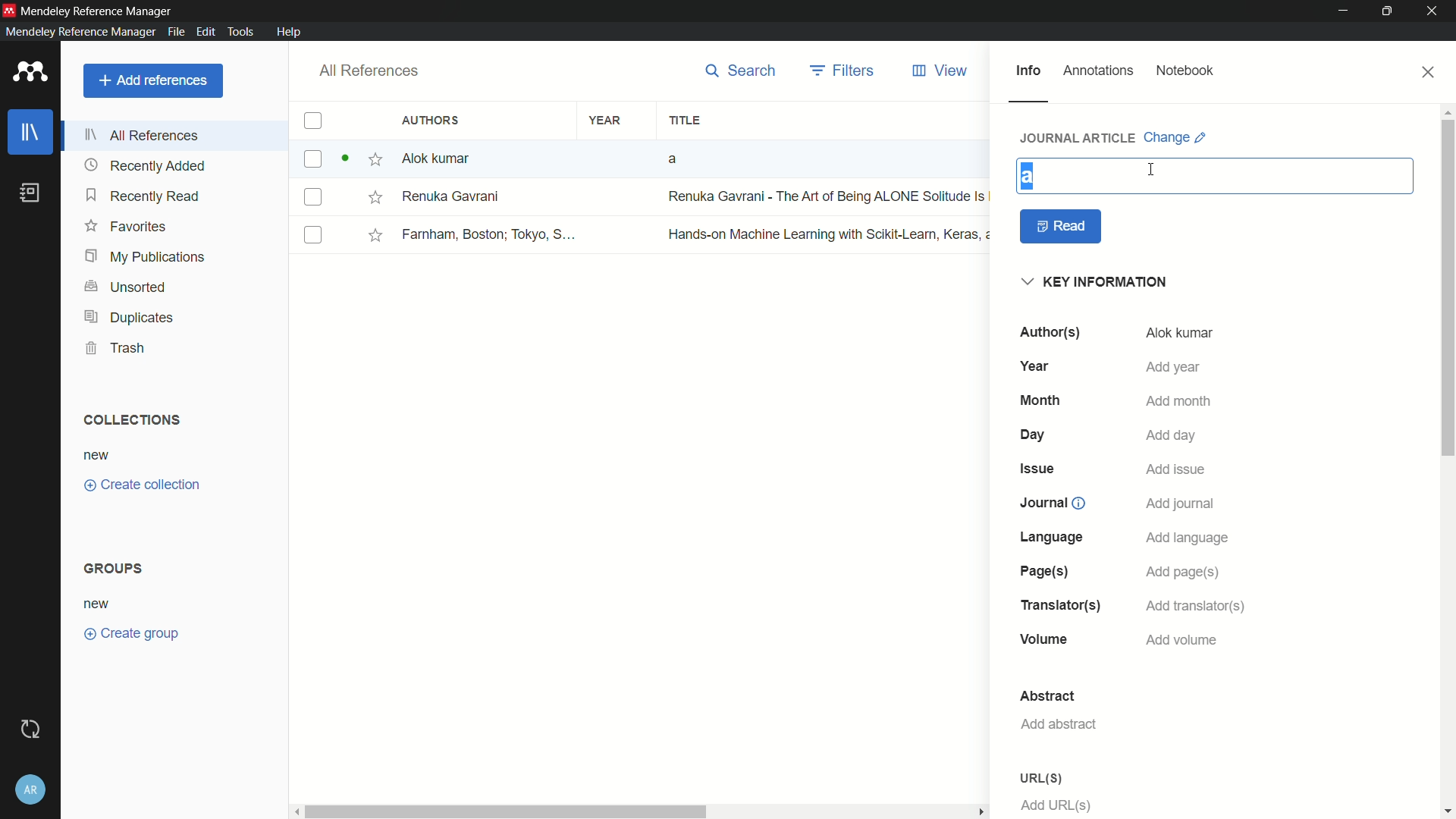 The width and height of the screenshot is (1456, 819). Describe the element at coordinates (1188, 538) in the screenshot. I see `add language` at that location.